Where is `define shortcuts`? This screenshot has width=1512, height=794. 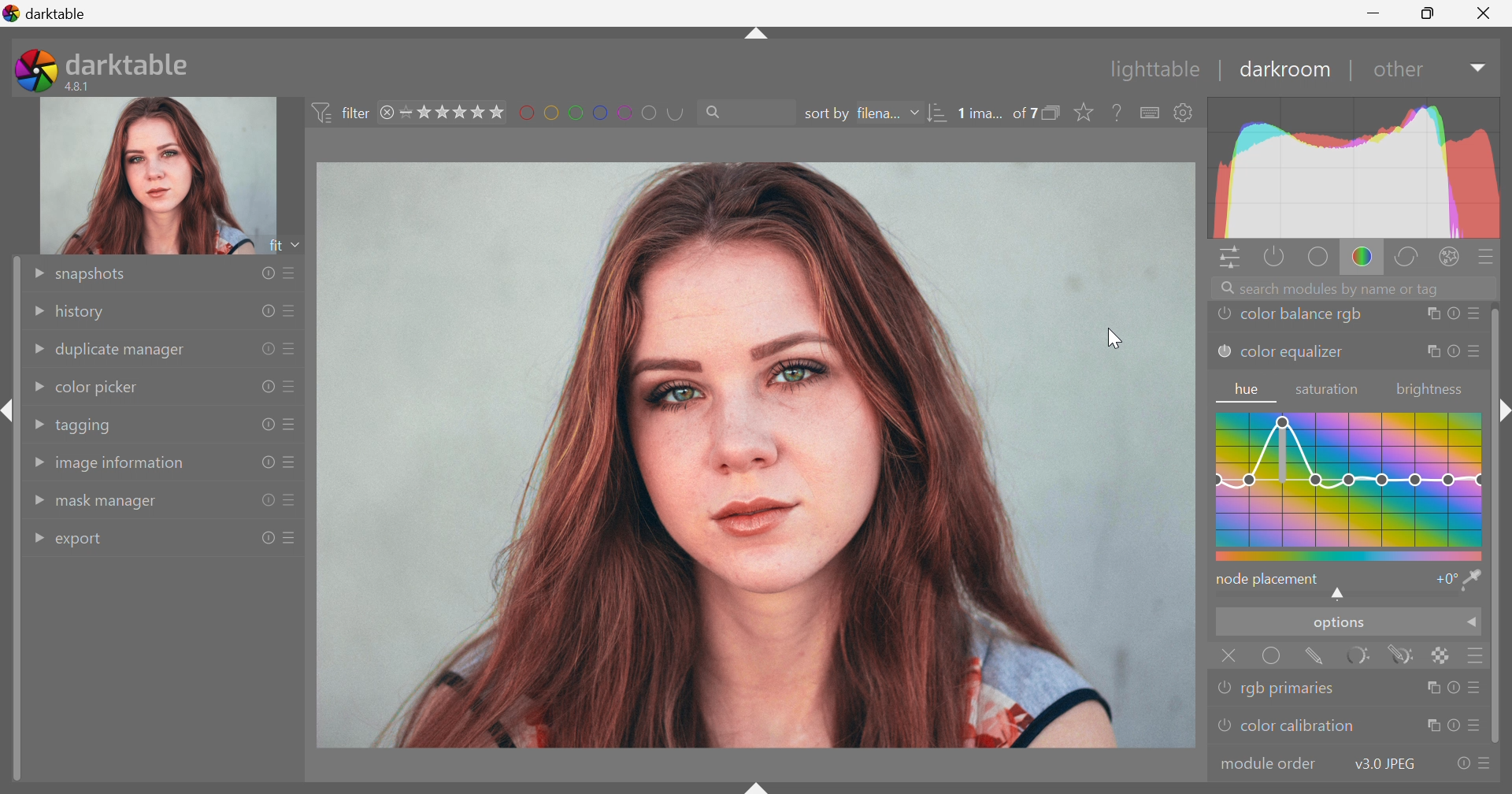 define shortcuts is located at coordinates (1151, 113).